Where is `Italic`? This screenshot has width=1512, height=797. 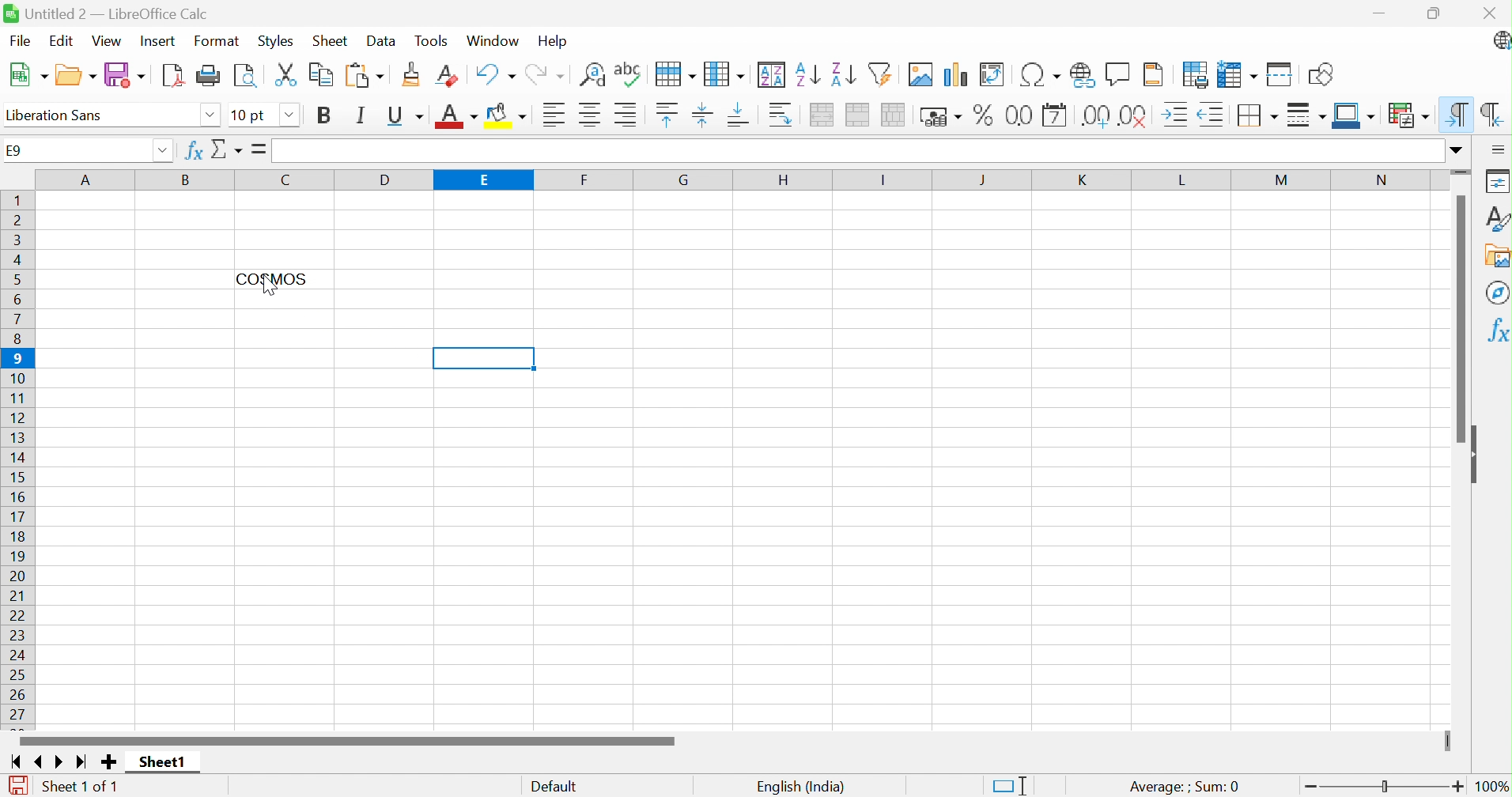
Italic is located at coordinates (363, 115).